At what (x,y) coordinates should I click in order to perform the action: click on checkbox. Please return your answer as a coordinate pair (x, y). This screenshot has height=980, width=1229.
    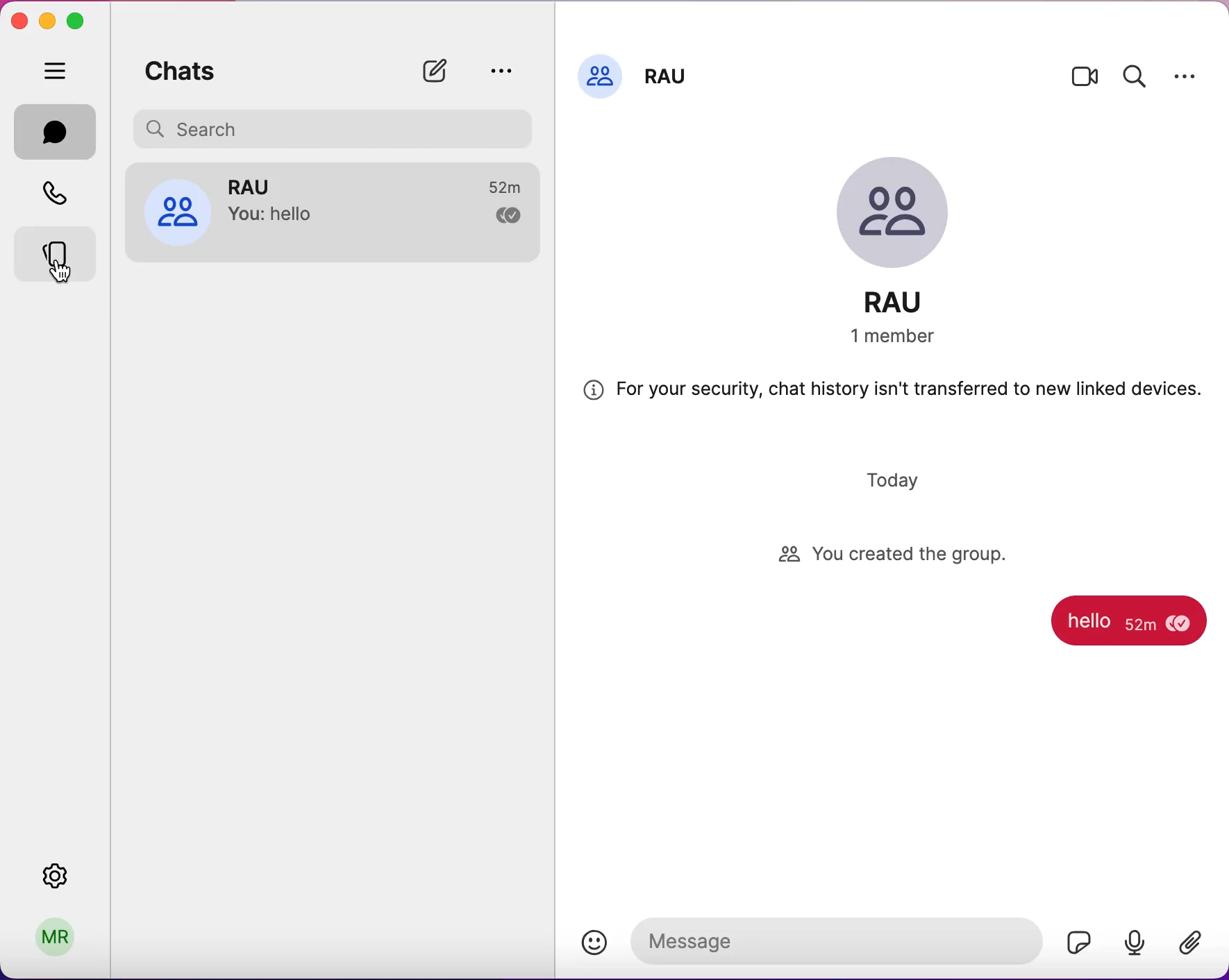
    Looking at the image, I should click on (501, 217).